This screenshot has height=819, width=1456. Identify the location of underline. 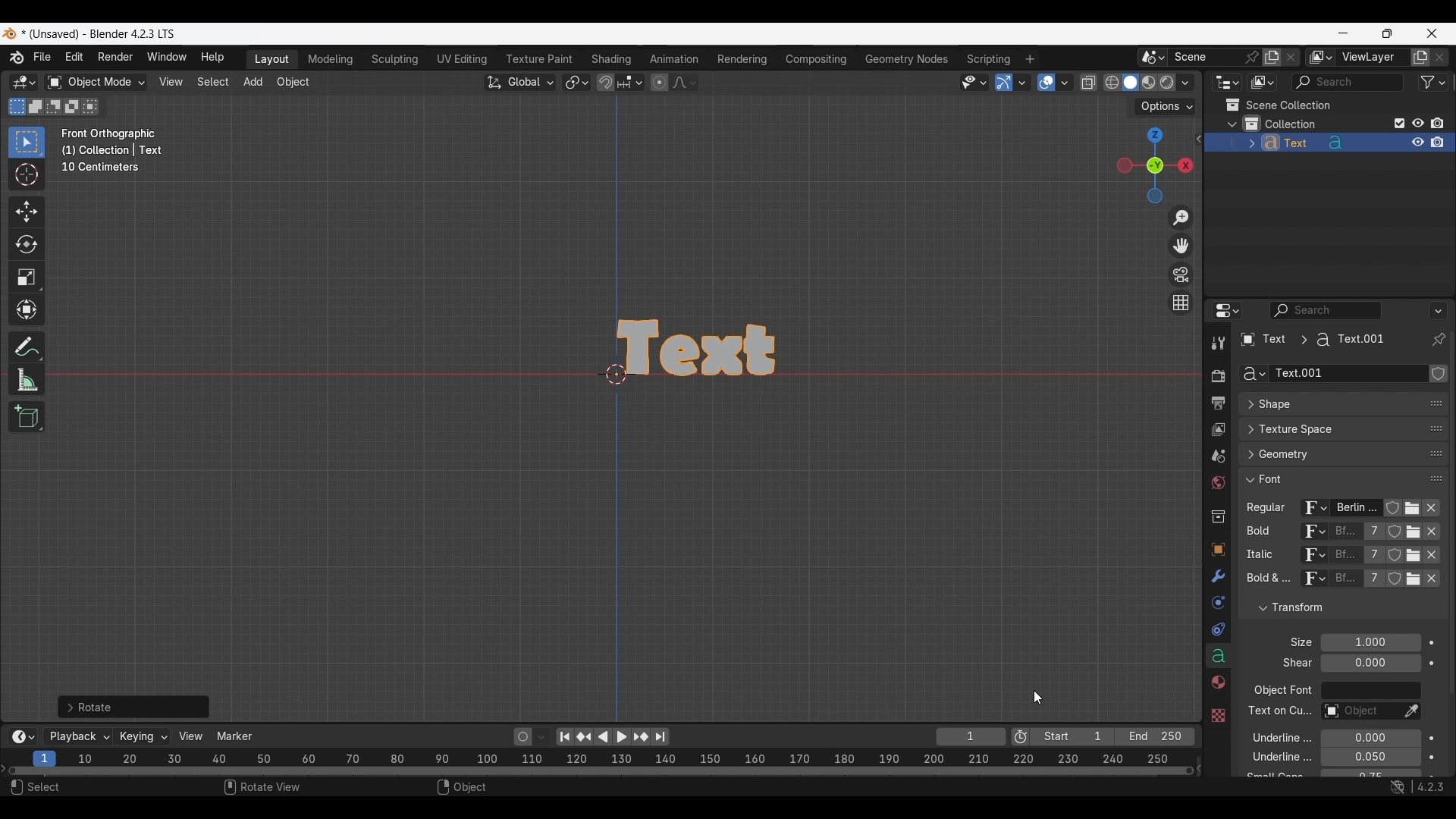
(1272, 737).